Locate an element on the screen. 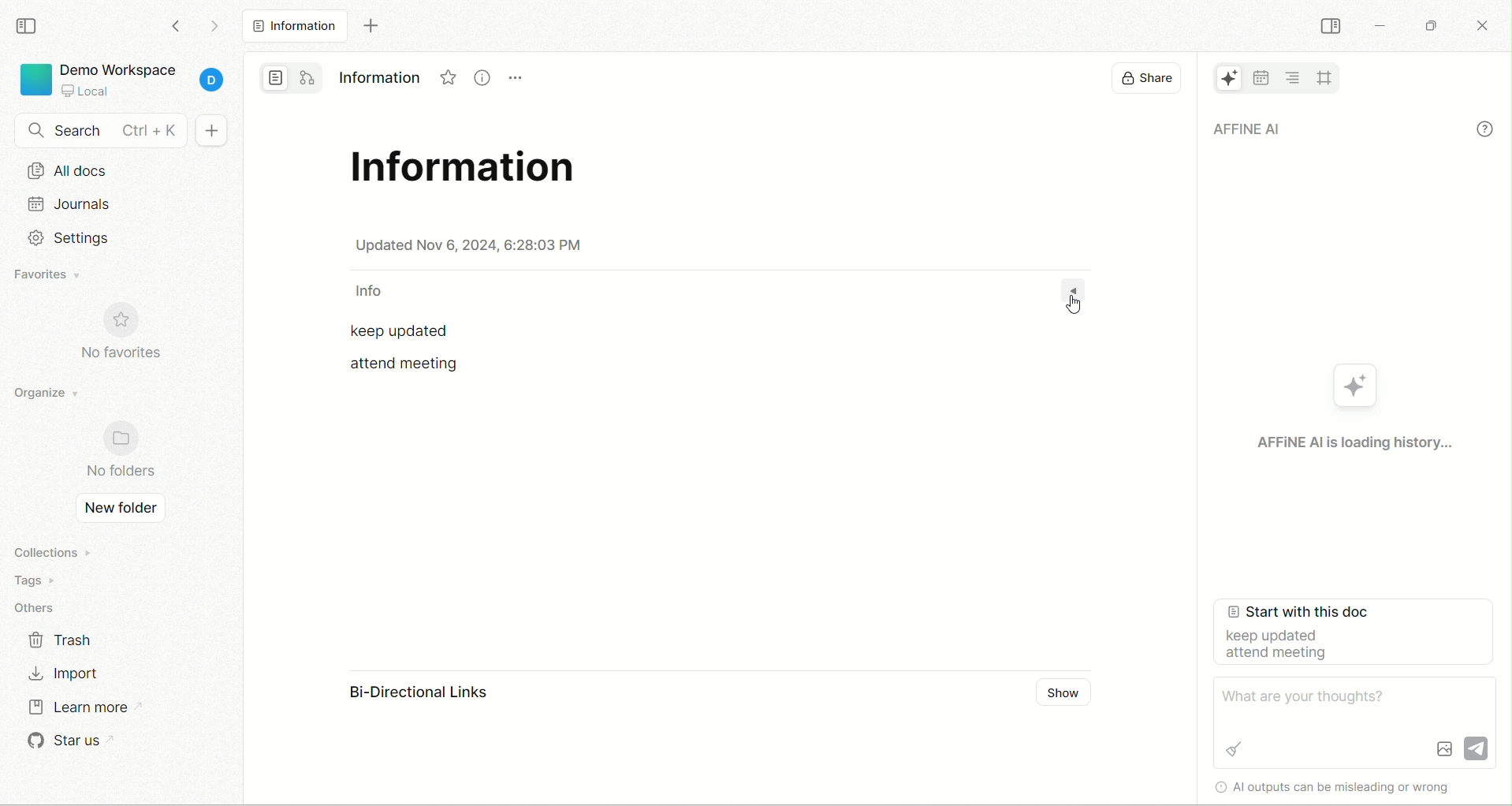  Send icon is located at coordinates (1477, 745).